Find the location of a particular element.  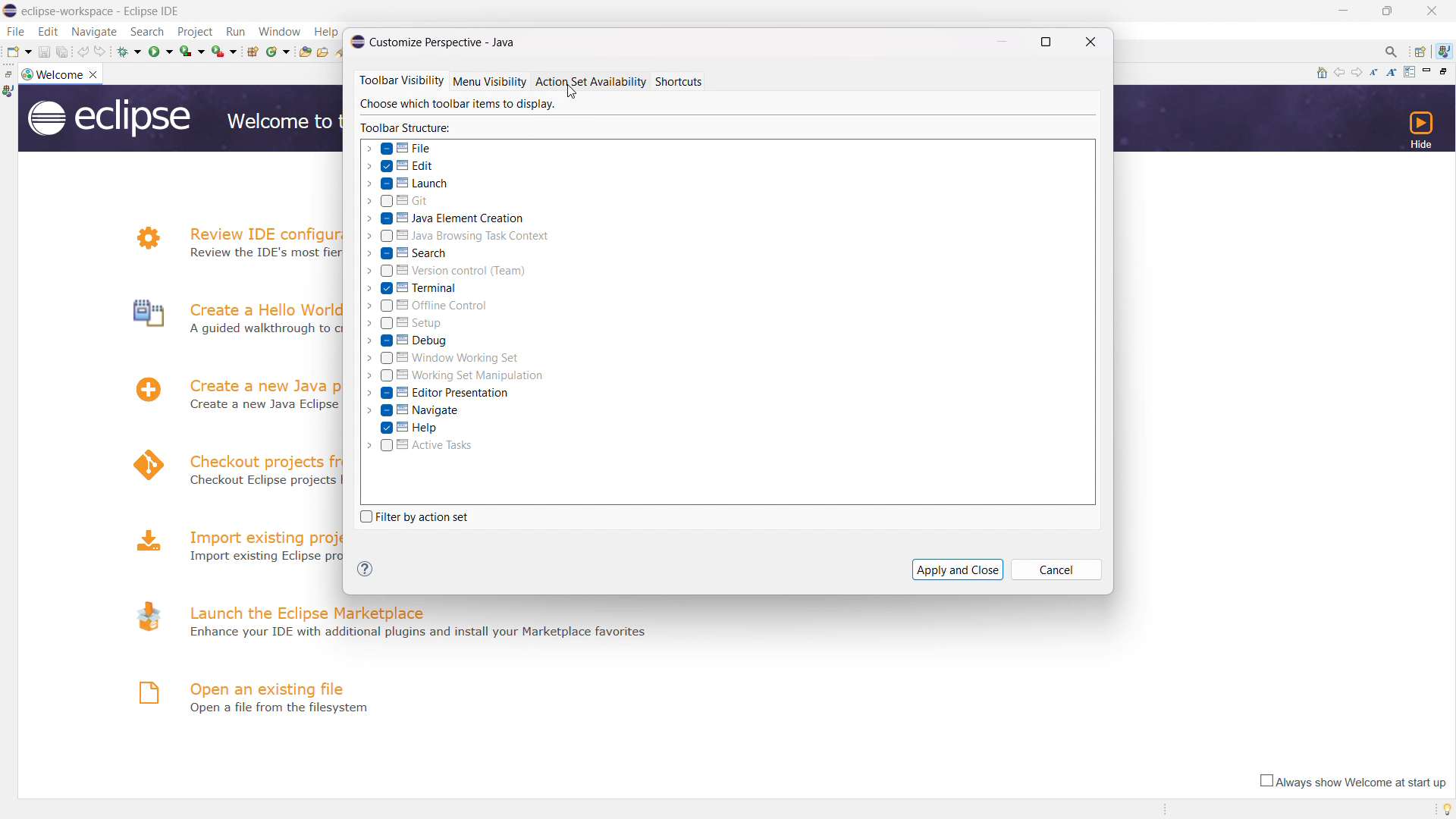

navigate to next topic is located at coordinates (1358, 73).